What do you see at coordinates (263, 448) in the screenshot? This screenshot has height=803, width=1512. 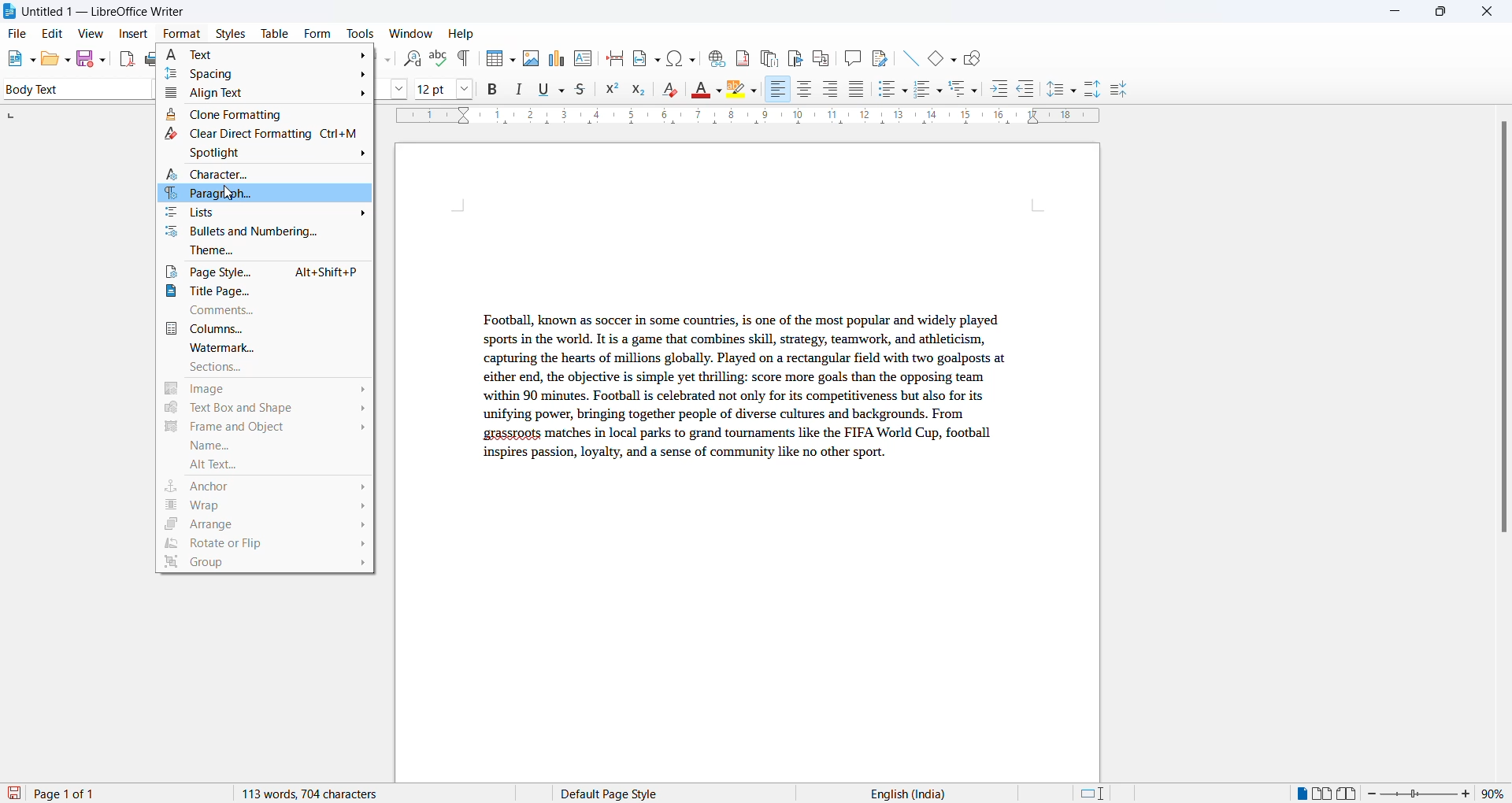 I see `name` at bounding box center [263, 448].